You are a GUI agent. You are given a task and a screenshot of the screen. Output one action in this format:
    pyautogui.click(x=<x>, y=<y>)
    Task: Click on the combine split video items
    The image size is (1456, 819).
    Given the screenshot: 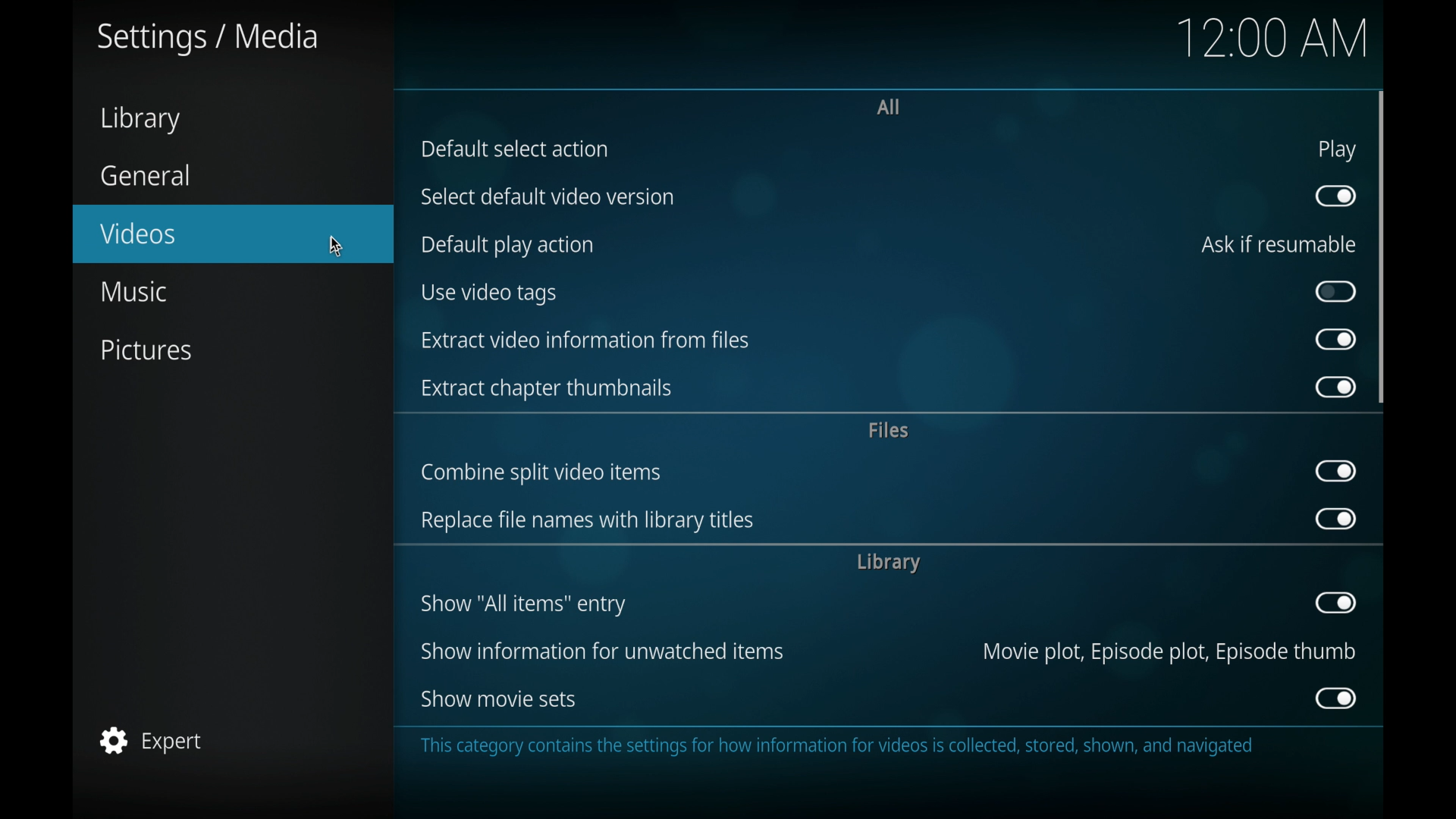 What is the action you would take?
    pyautogui.click(x=541, y=473)
    